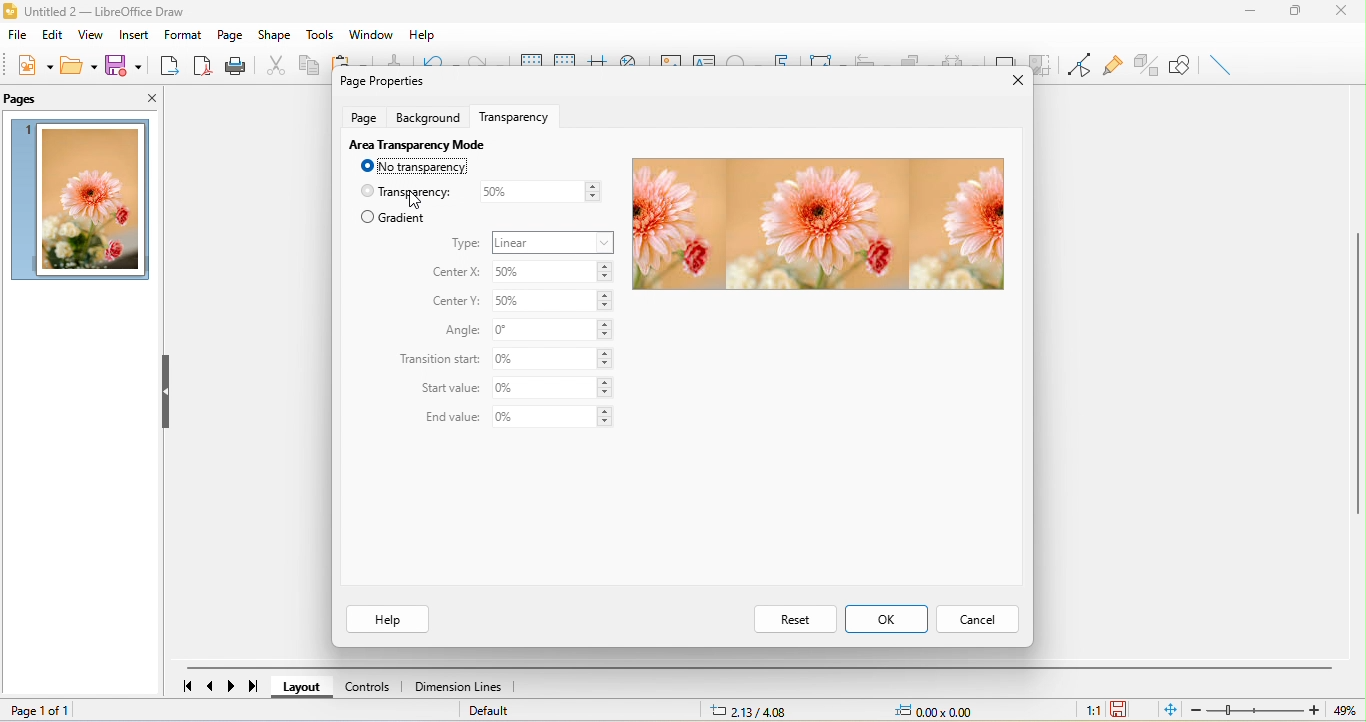  Describe the element at coordinates (307, 64) in the screenshot. I see `copy` at that location.